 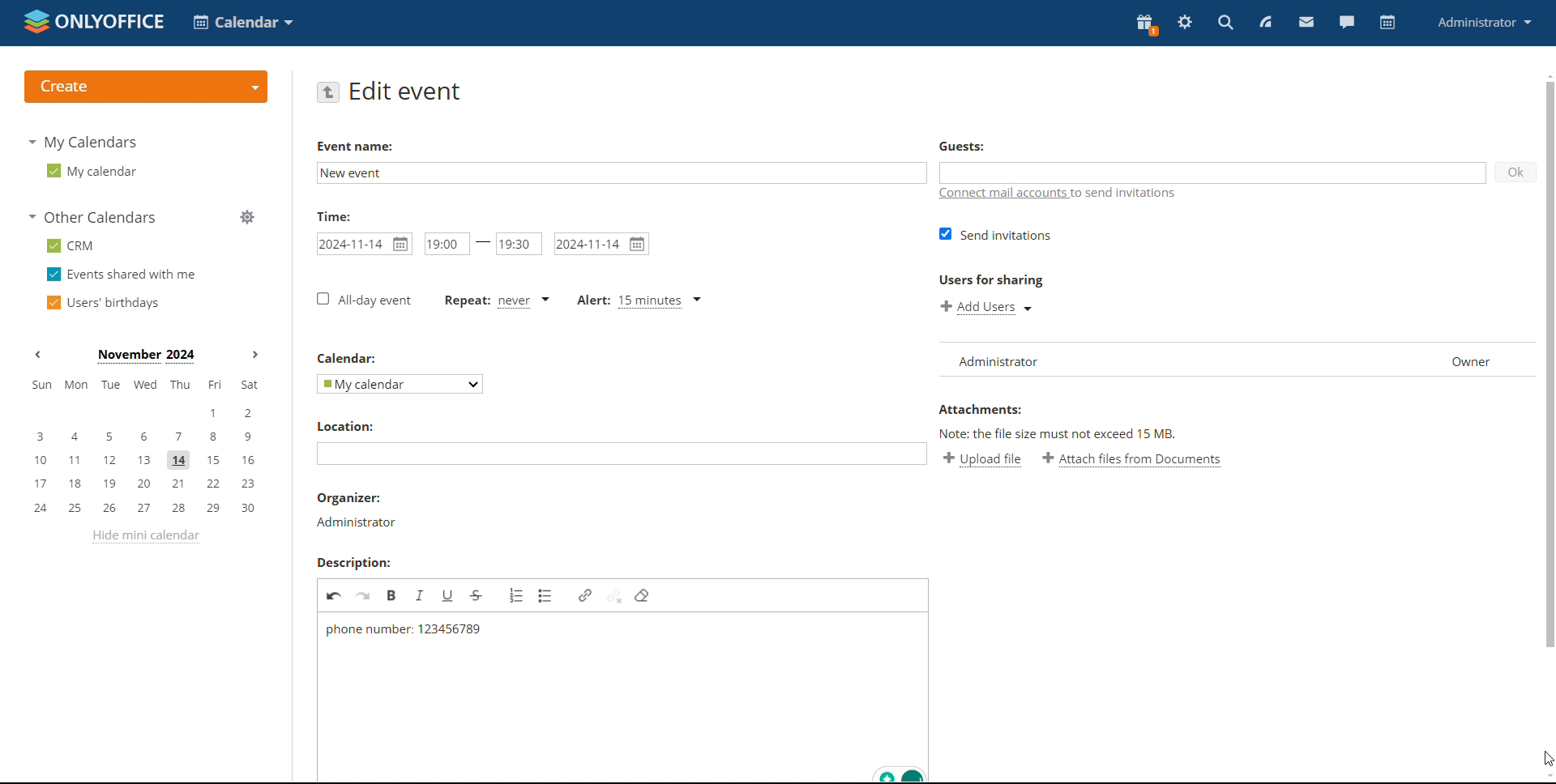 I want to click on cursor, so click(x=1532, y=752).